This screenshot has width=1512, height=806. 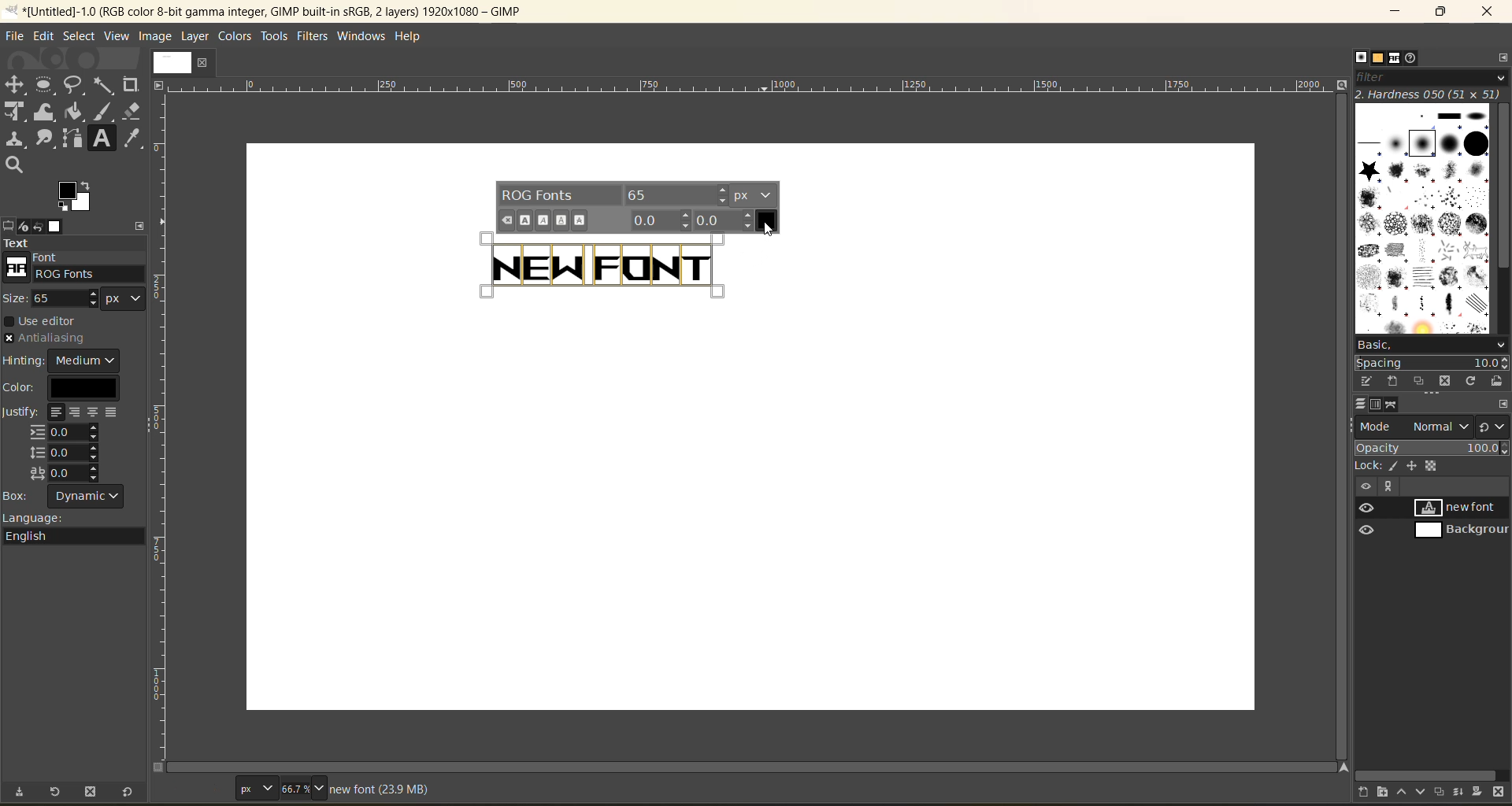 I want to click on tool options, so click(x=9, y=226).